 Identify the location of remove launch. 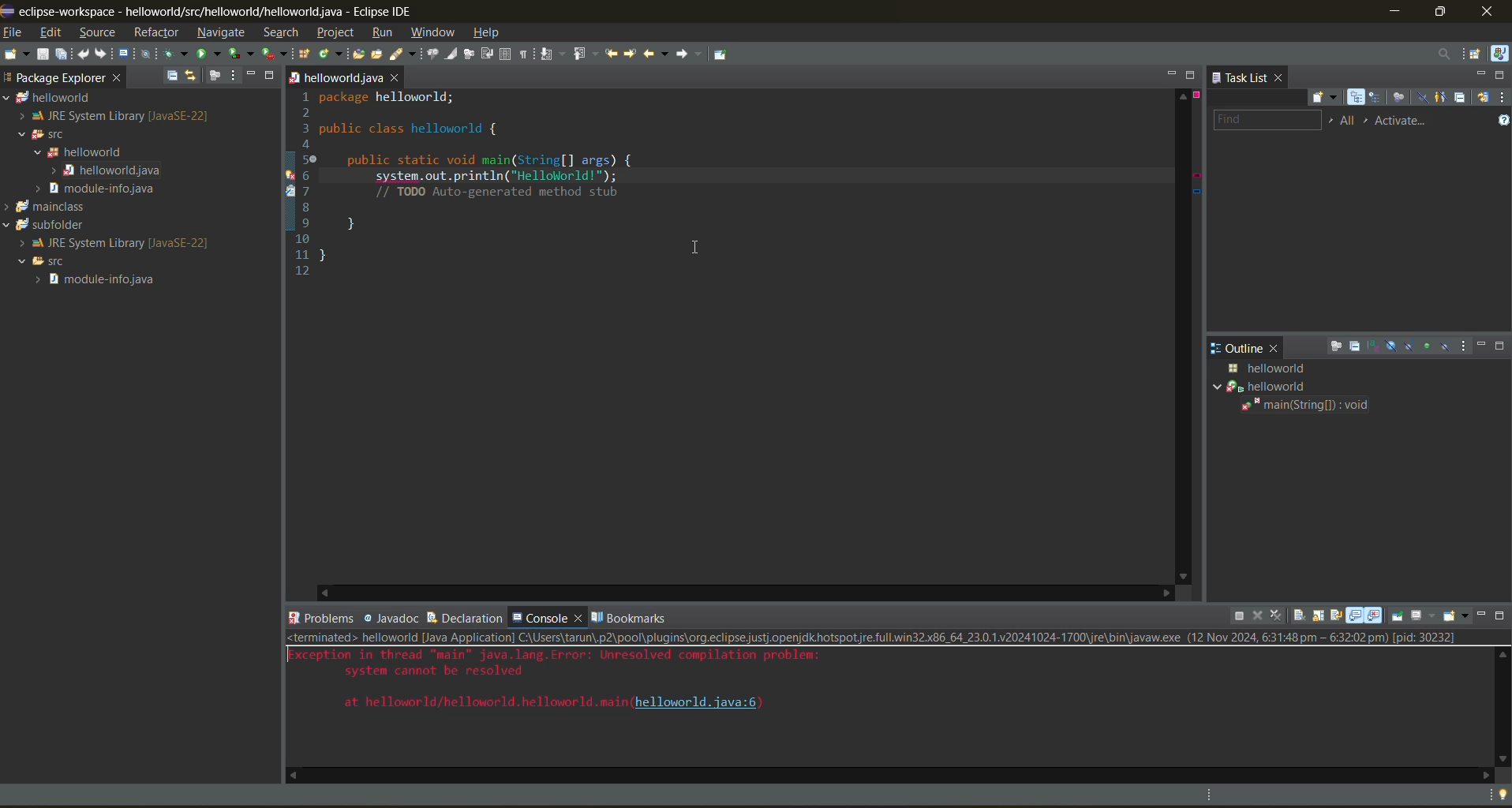
(1262, 615).